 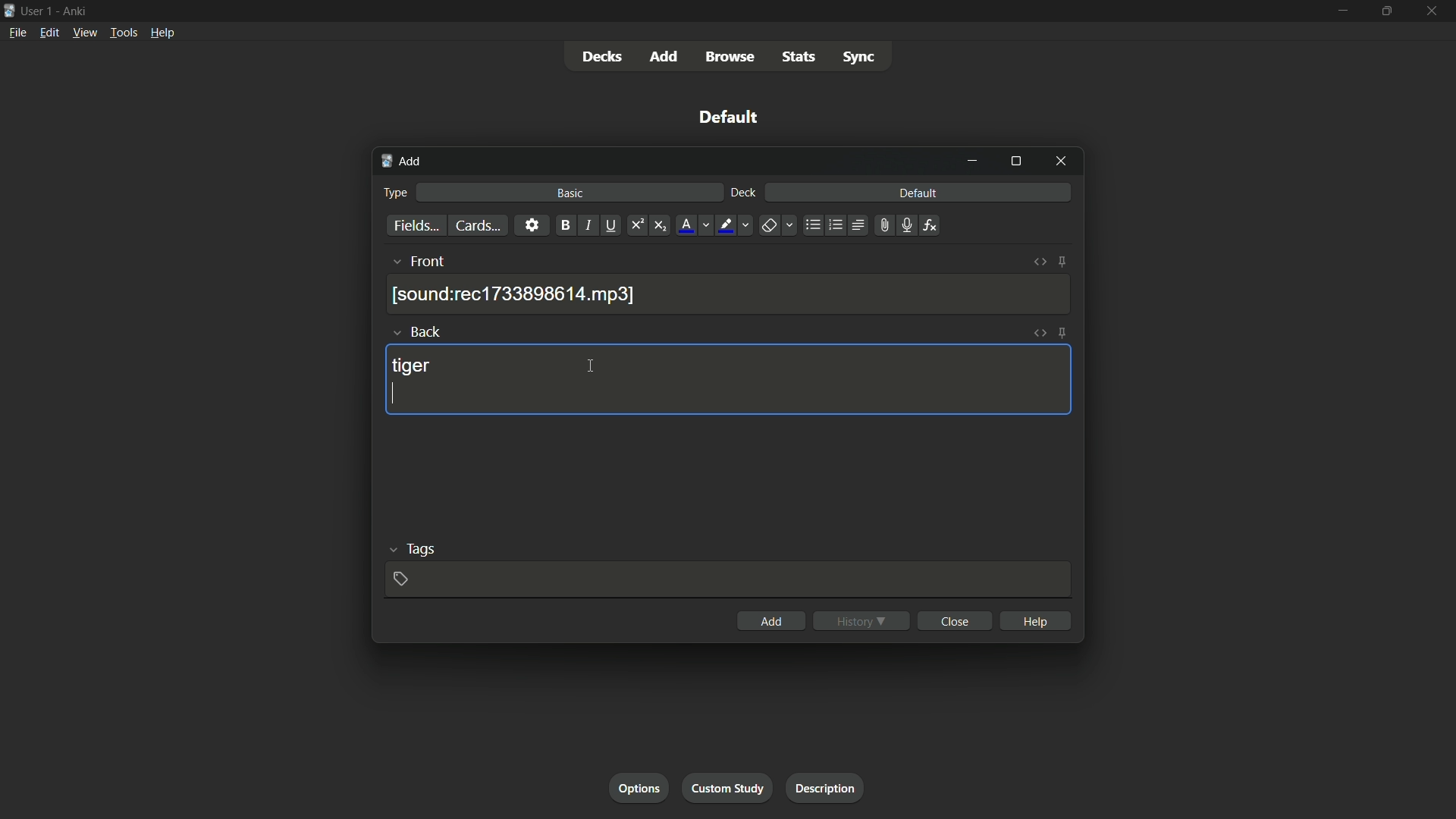 What do you see at coordinates (903, 226) in the screenshot?
I see `record audio` at bounding box center [903, 226].